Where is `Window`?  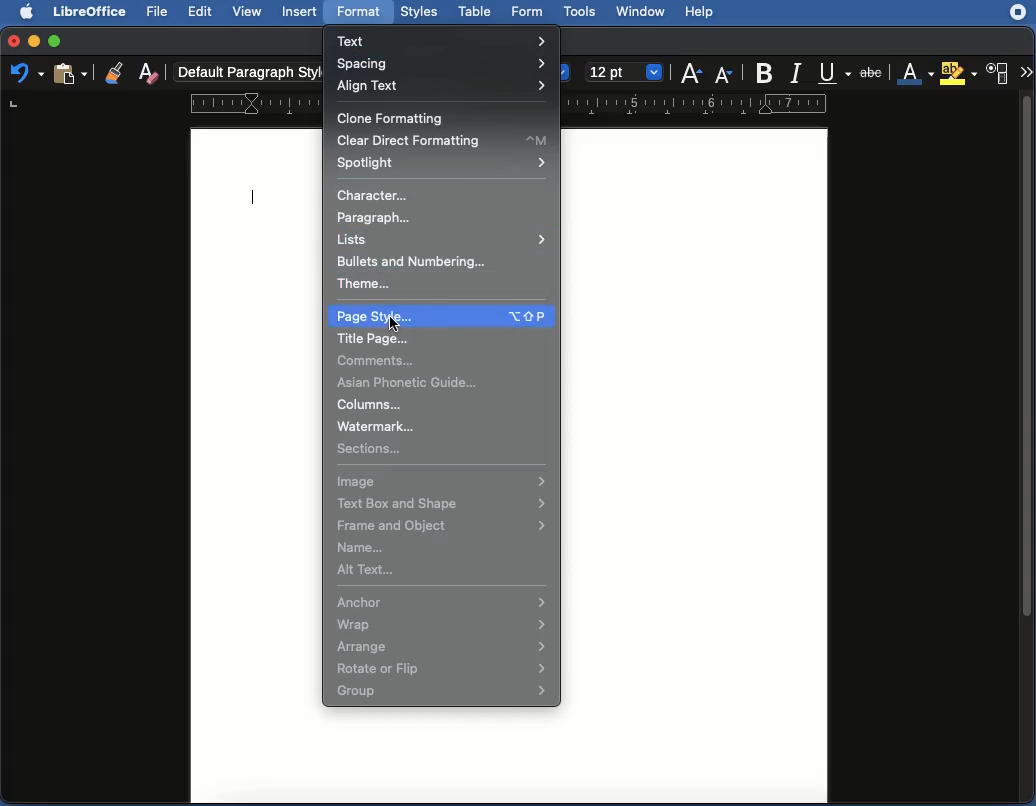
Window is located at coordinates (644, 12).